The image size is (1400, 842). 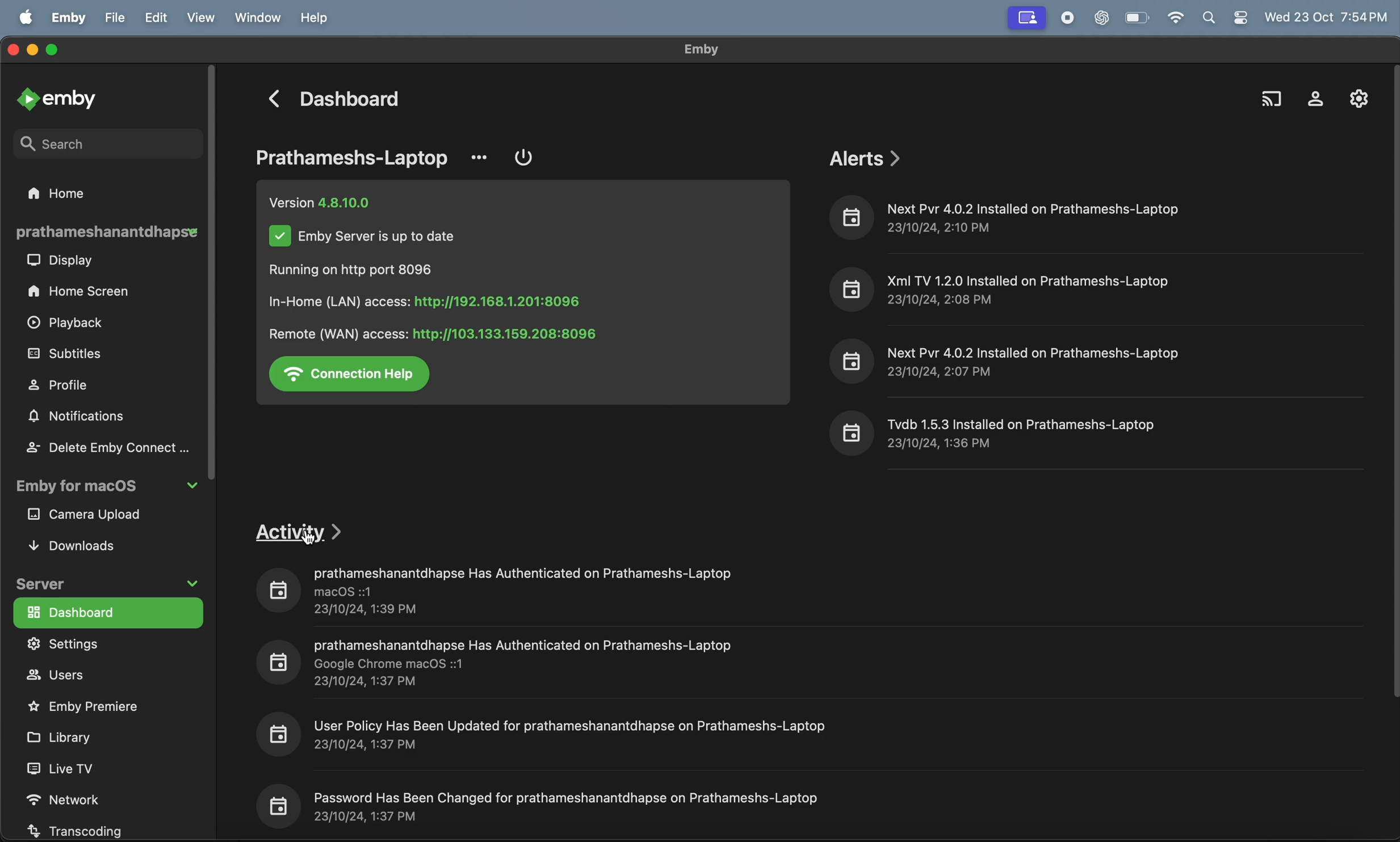 I want to click on laptop name, so click(x=355, y=157).